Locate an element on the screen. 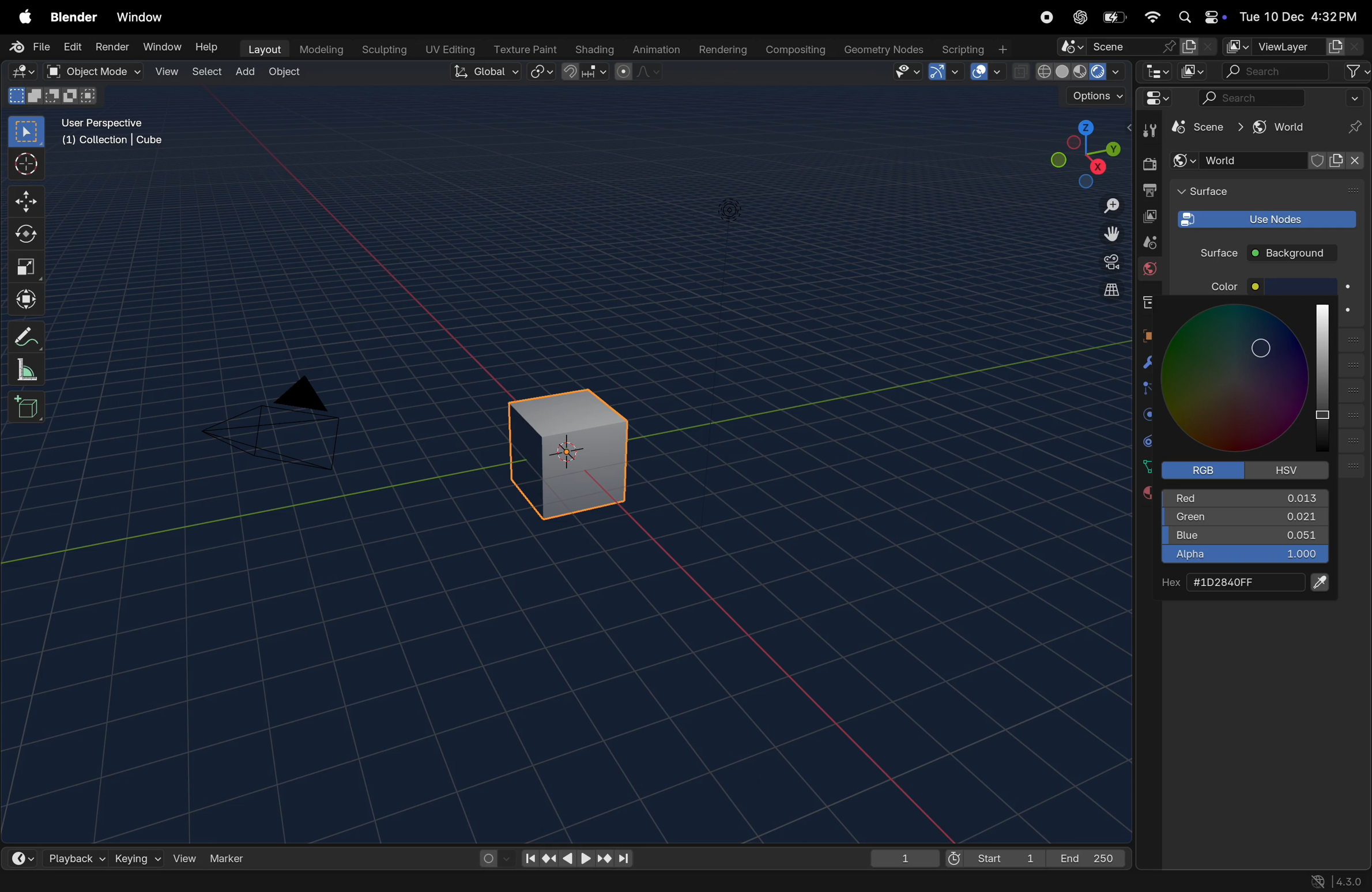 This screenshot has height=892, width=1372. out put is located at coordinates (1148, 216).